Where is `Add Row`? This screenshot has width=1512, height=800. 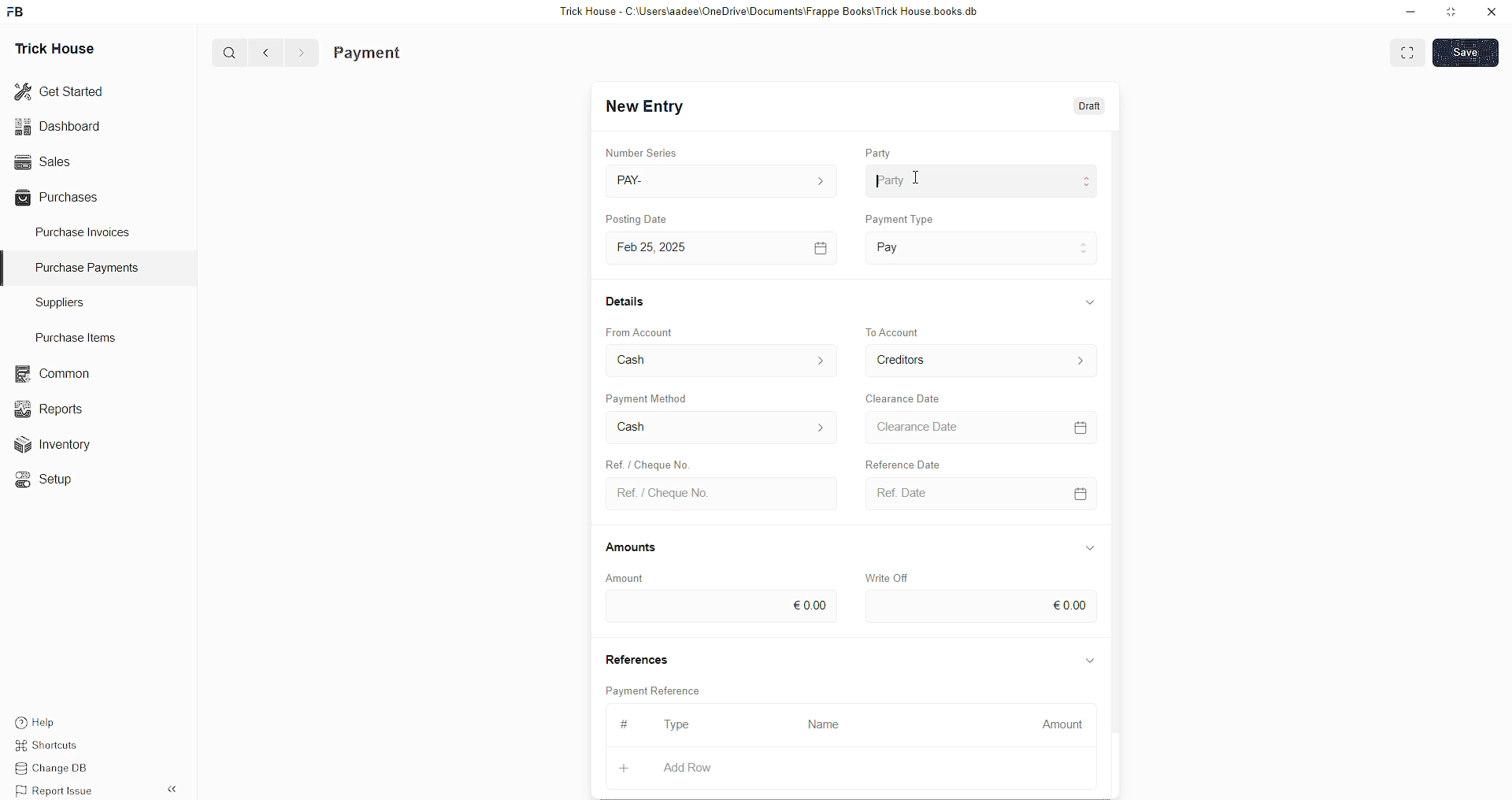 Add Row is located at coordinates (688, 767).